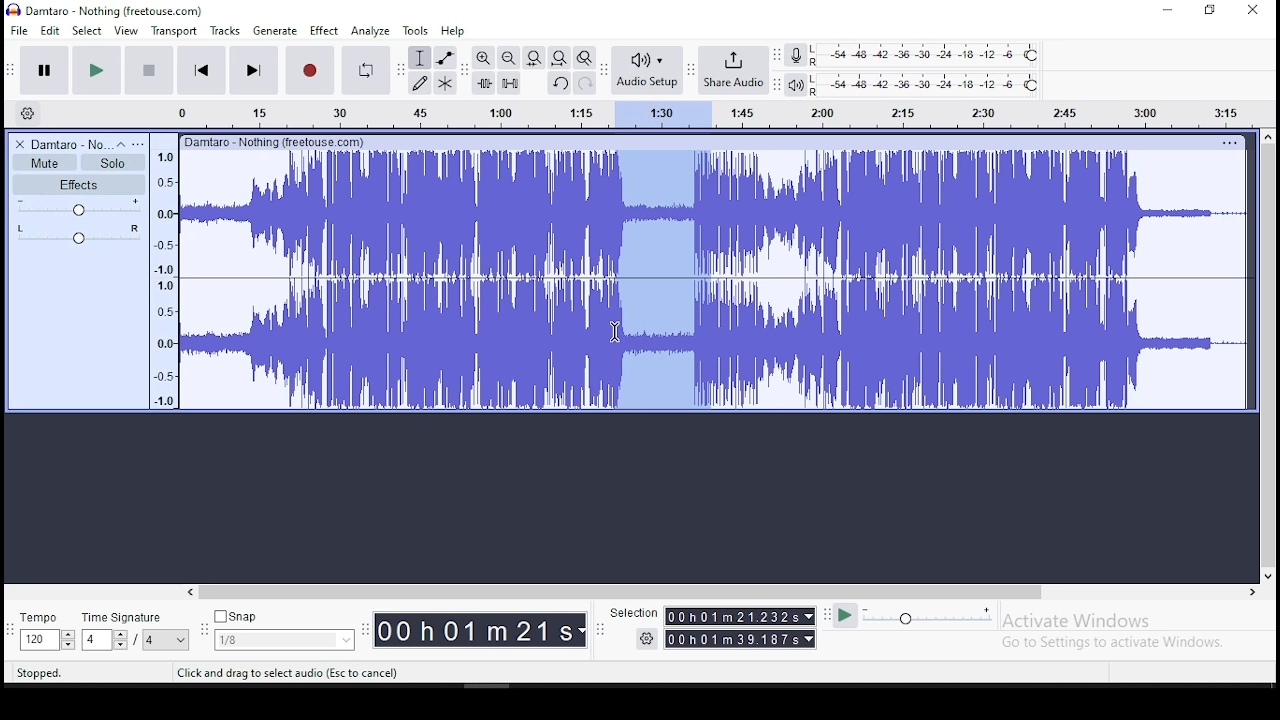 The height and width of the screenshot is (720, 1280). What do you see at coordinates (203, 629) in the screenshot?
I see `` at bounding box center [203, 629].